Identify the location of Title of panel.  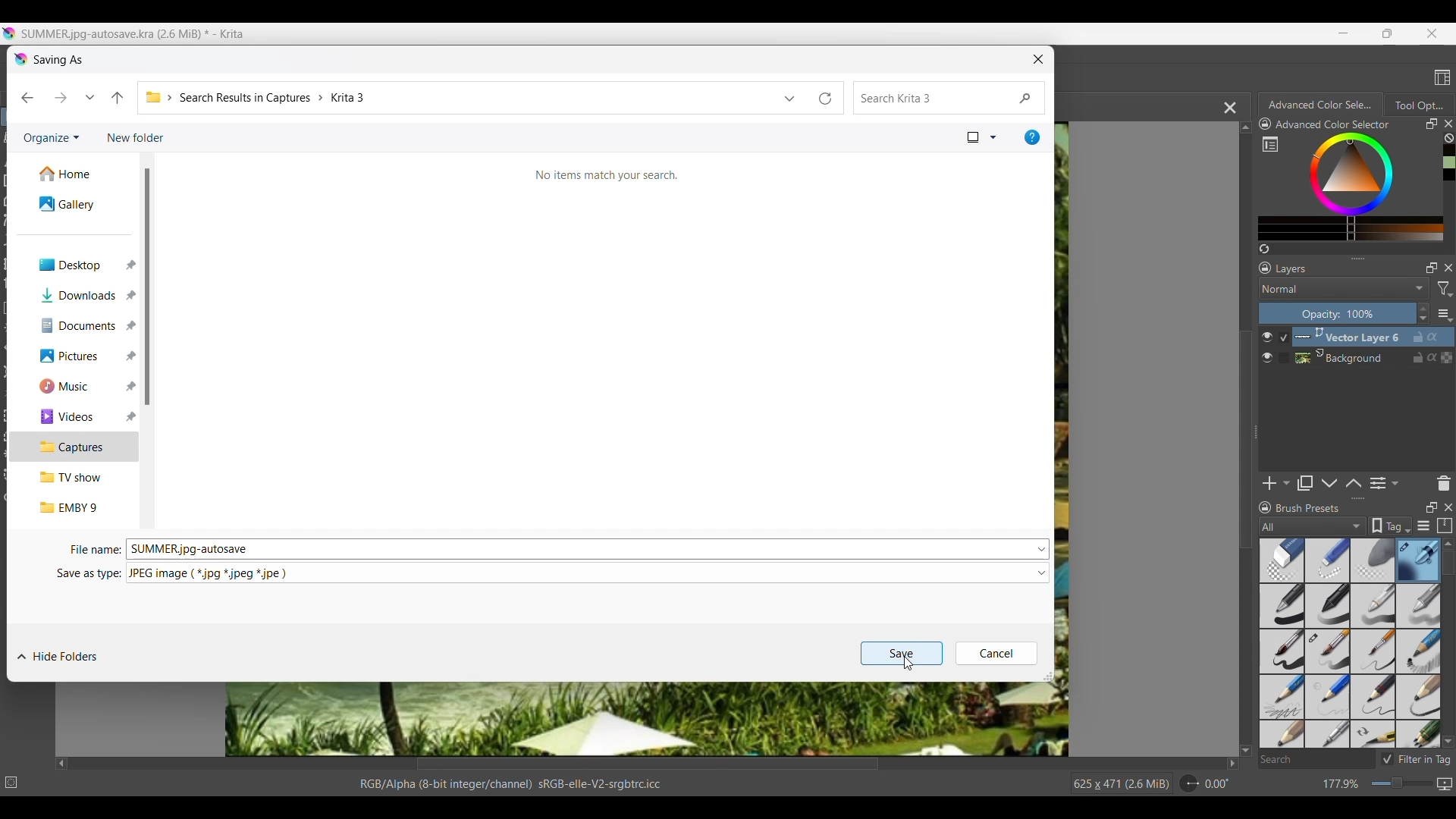
(1308, 508).